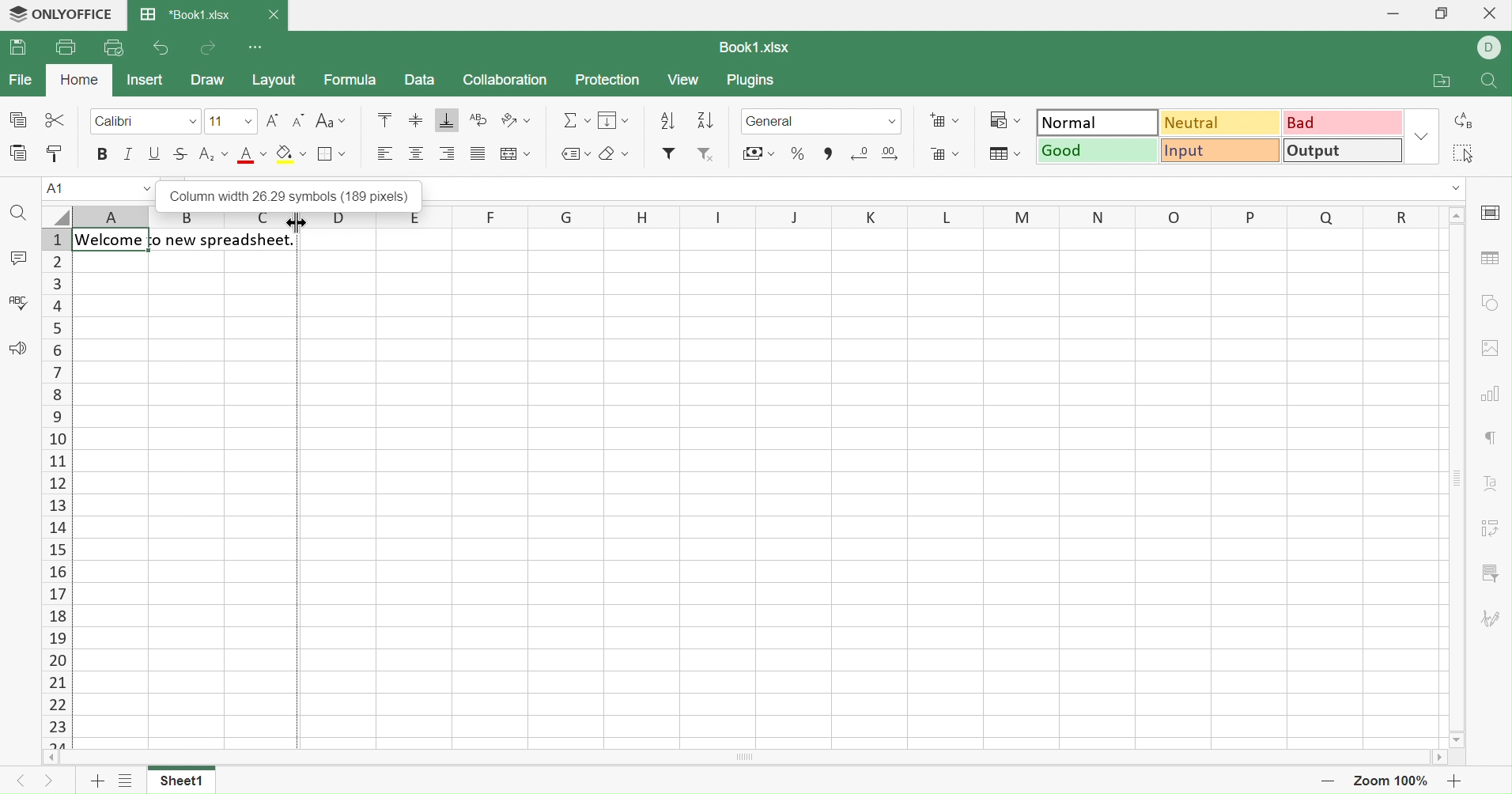  Describe the element at coordinates (1223, 151) in the screenshot. I see `Input` at that location.